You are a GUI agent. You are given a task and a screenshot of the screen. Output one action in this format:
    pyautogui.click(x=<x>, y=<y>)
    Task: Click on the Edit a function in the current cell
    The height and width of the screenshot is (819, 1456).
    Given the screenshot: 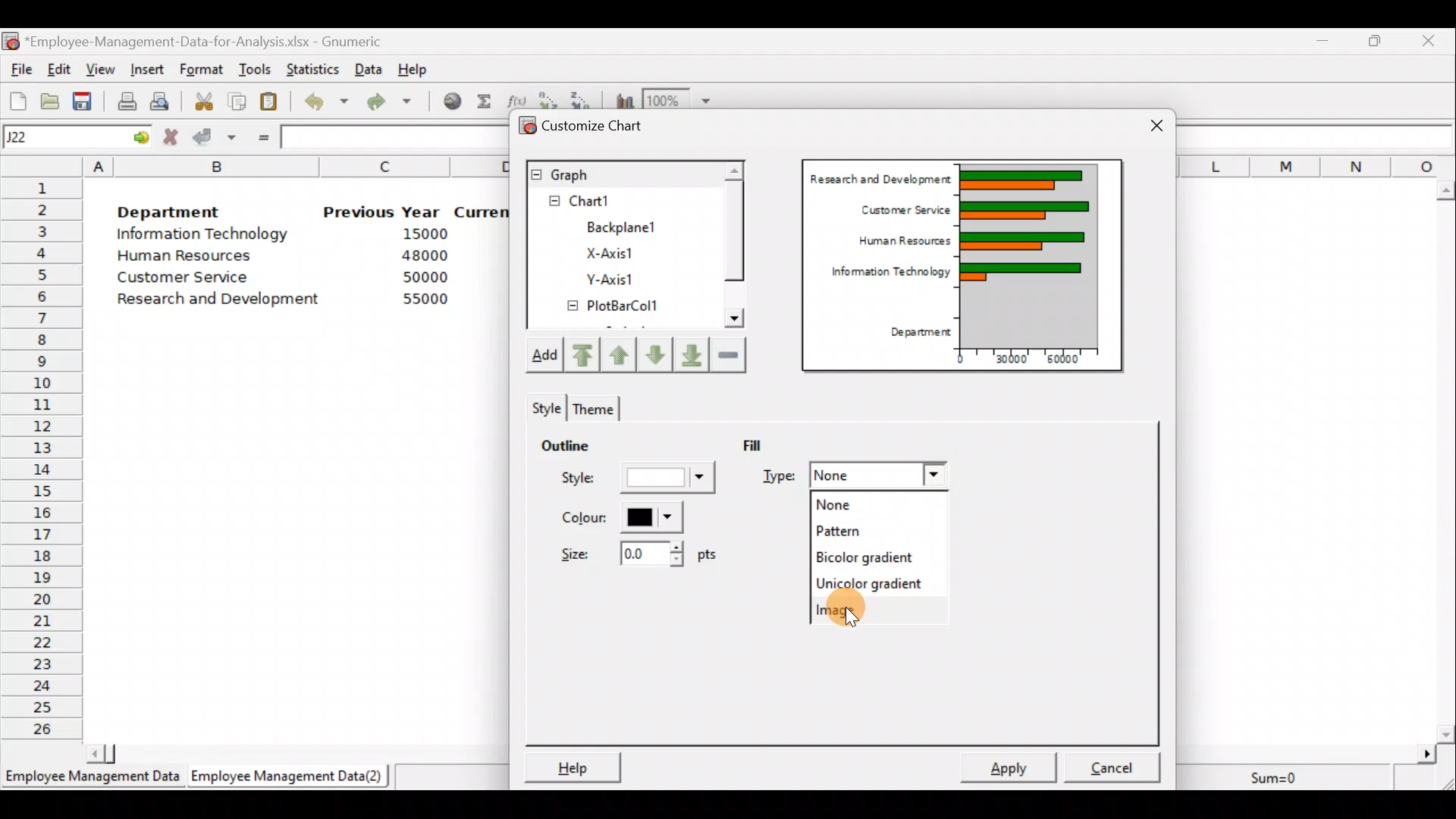 What is the action you would take?
    pyautogui.click(x=517, y=99)
    